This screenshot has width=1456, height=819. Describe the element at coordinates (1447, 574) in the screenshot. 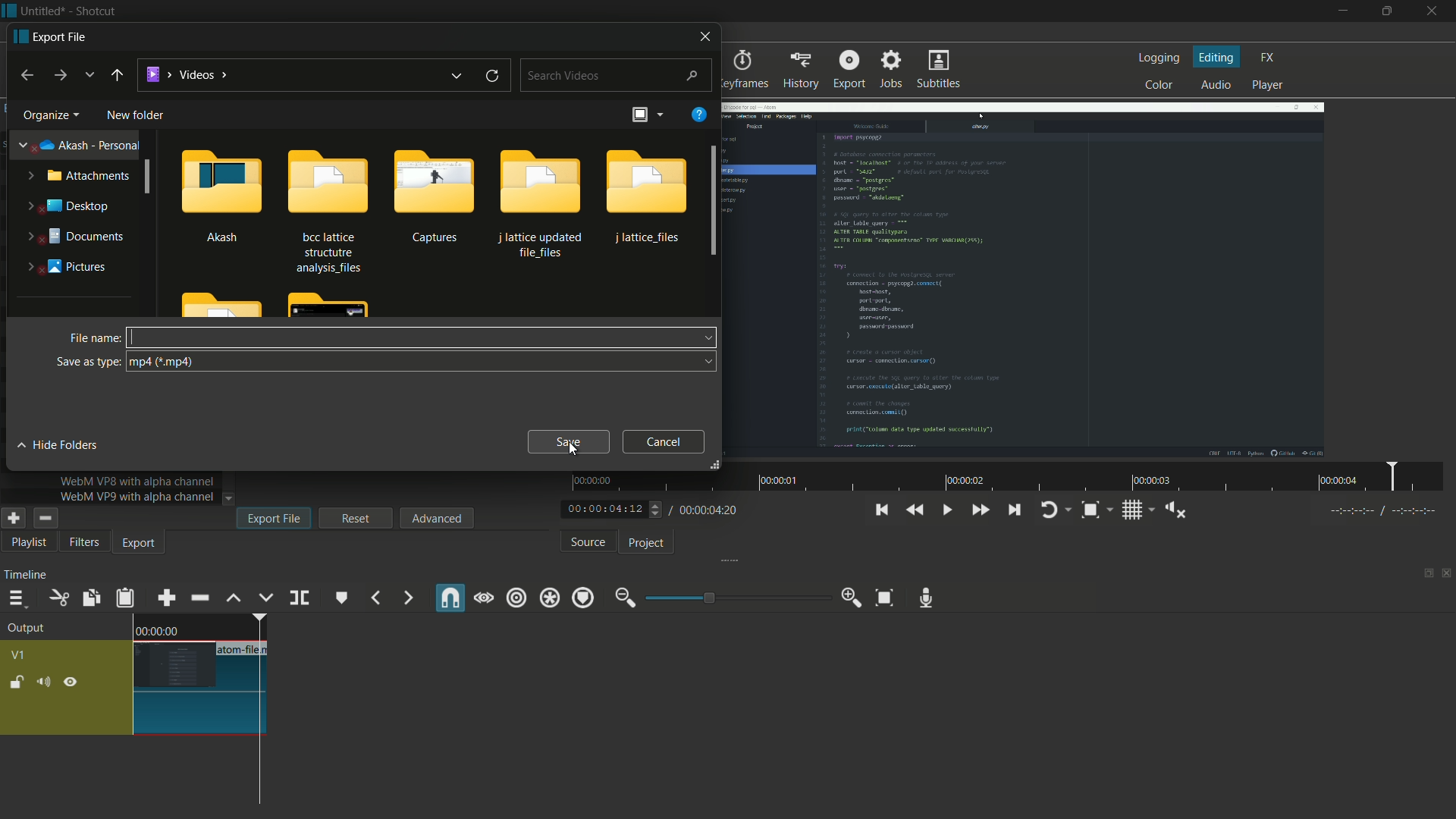

I see `close timeline` at that location.